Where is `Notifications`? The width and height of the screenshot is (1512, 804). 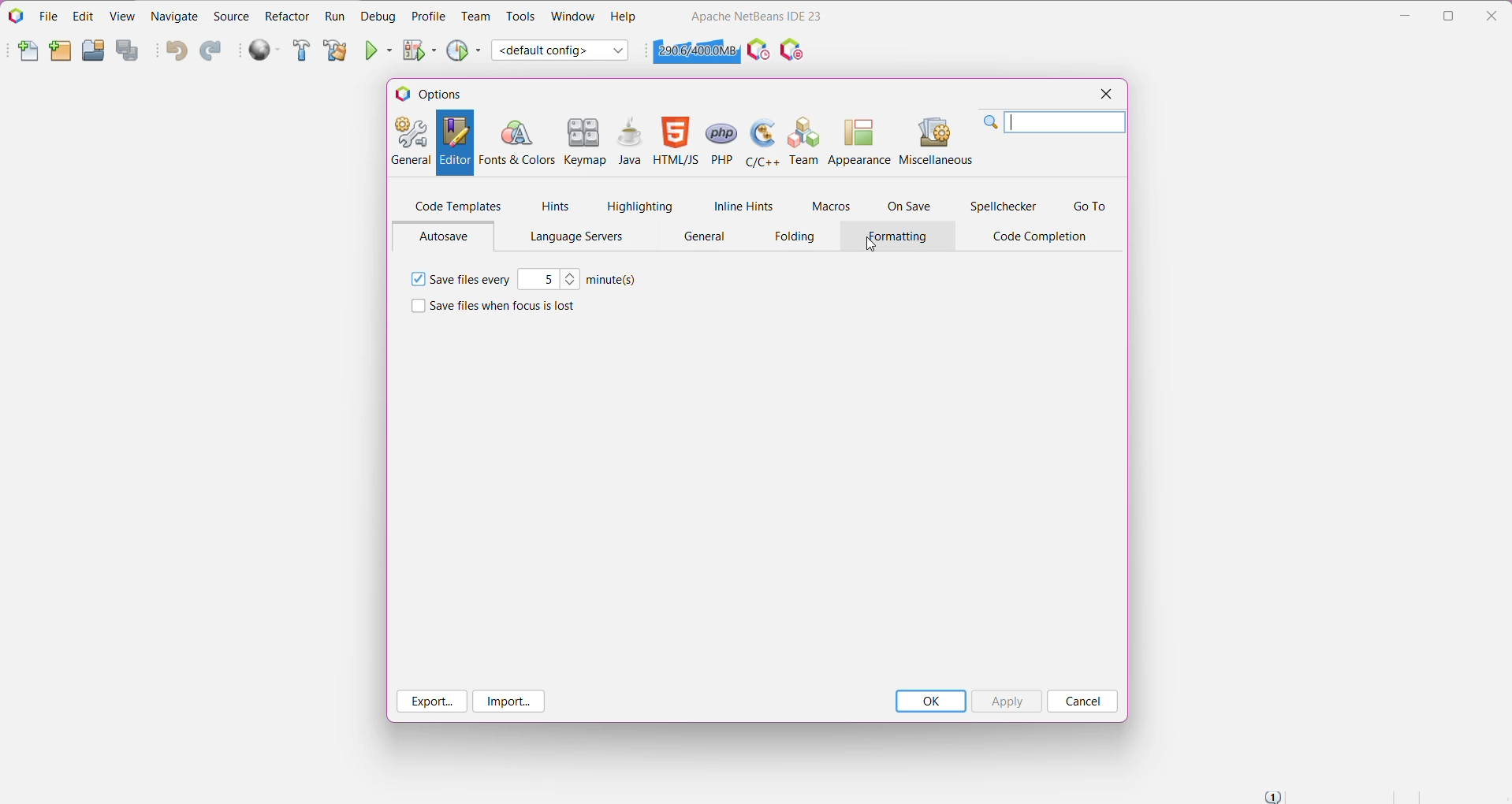 Notifications is located at coordinates (1272, 796).